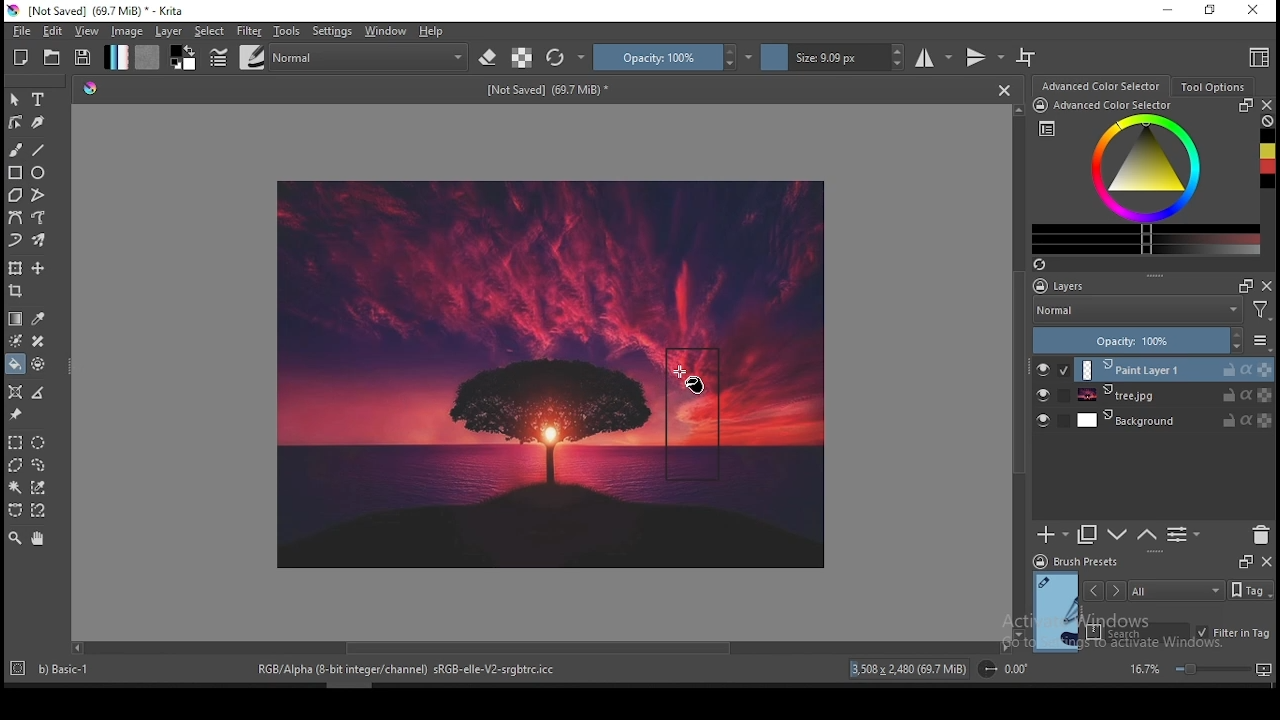  What do you see at coordinates (39, 173) in the screenshot?
I see `ellipse tool` at bounding box center [39, 173].